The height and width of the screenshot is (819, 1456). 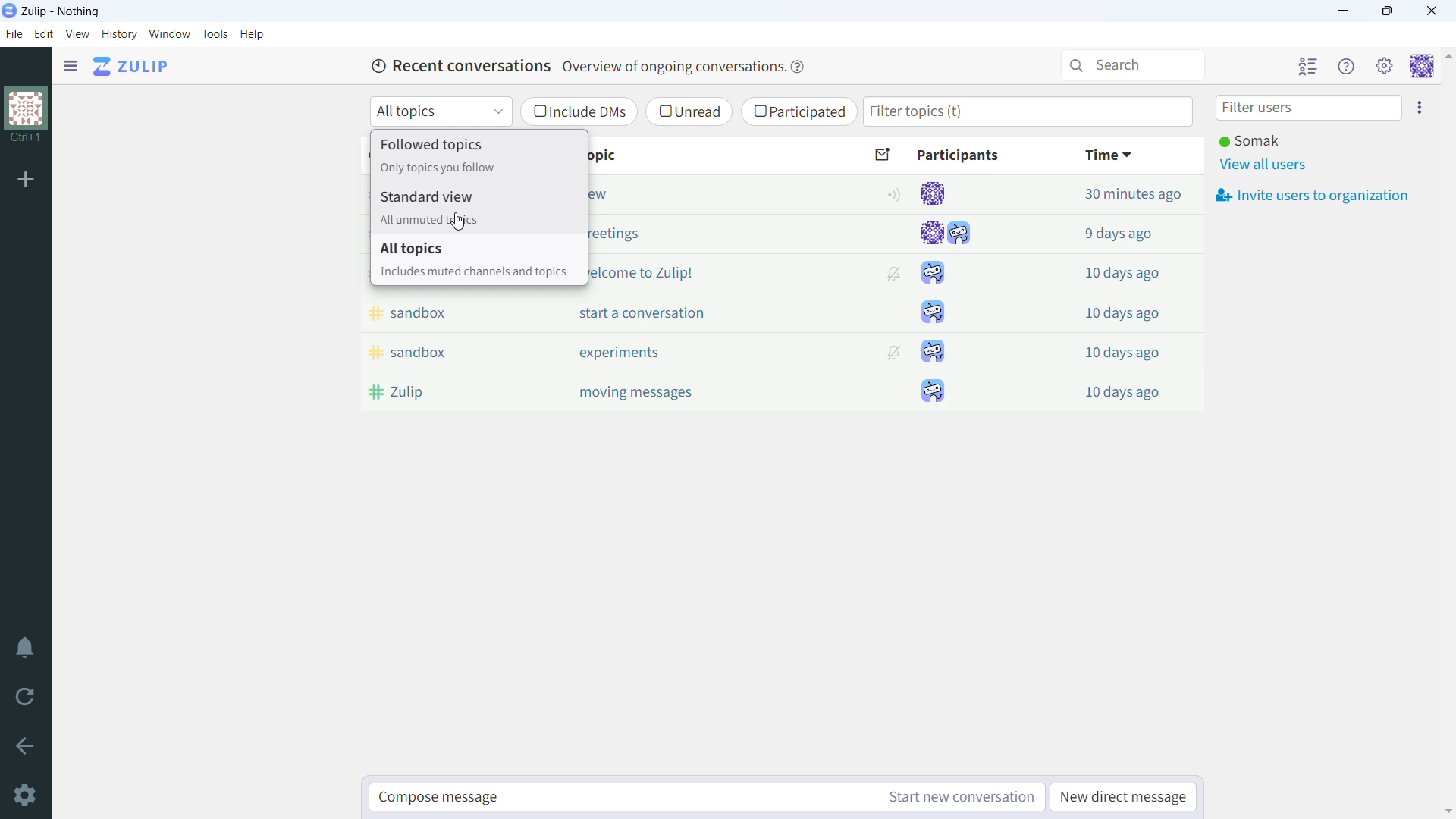 I want to click on participated, so click(x=799, y=111).